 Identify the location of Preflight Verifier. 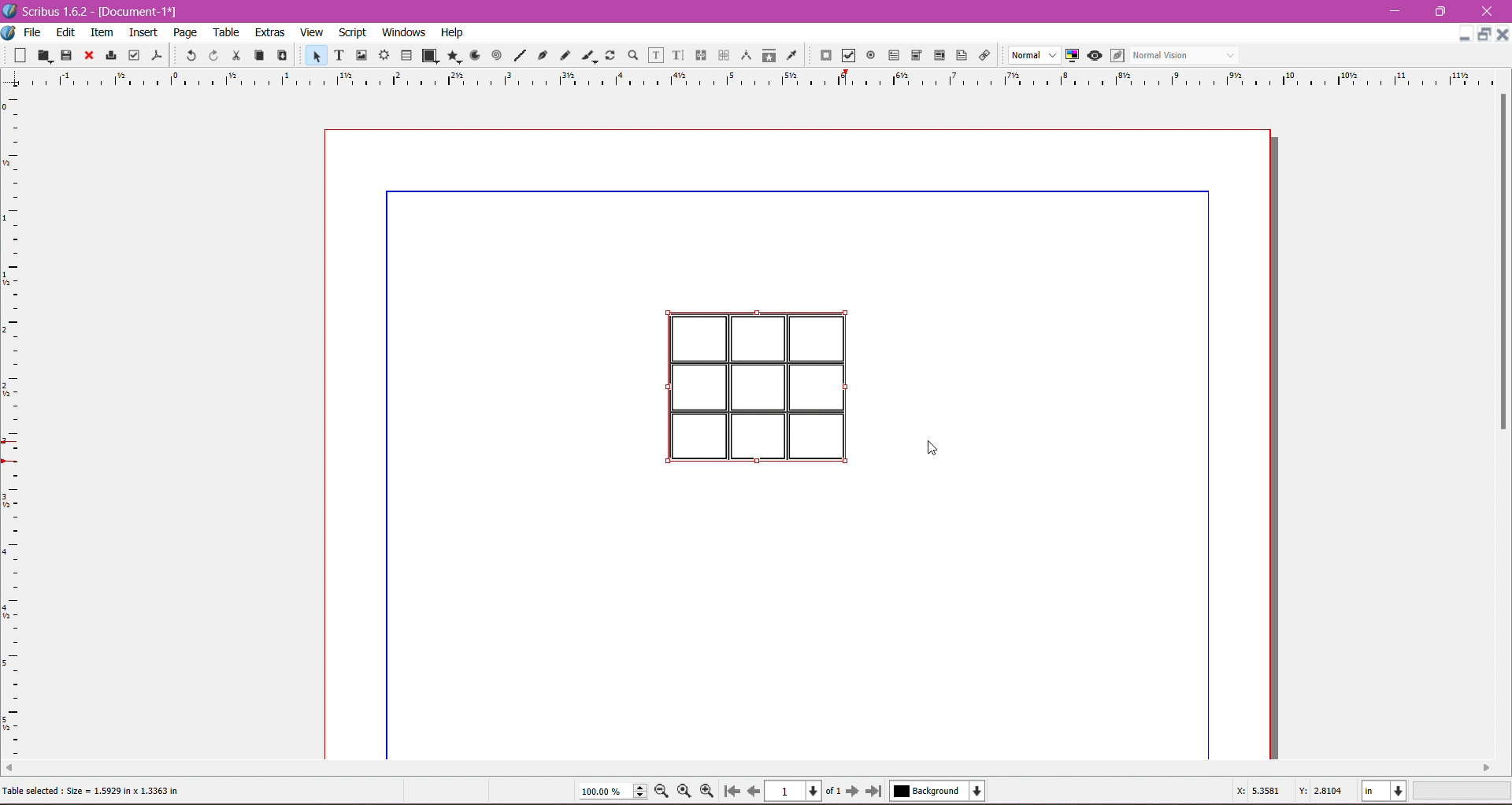
(134, 52).